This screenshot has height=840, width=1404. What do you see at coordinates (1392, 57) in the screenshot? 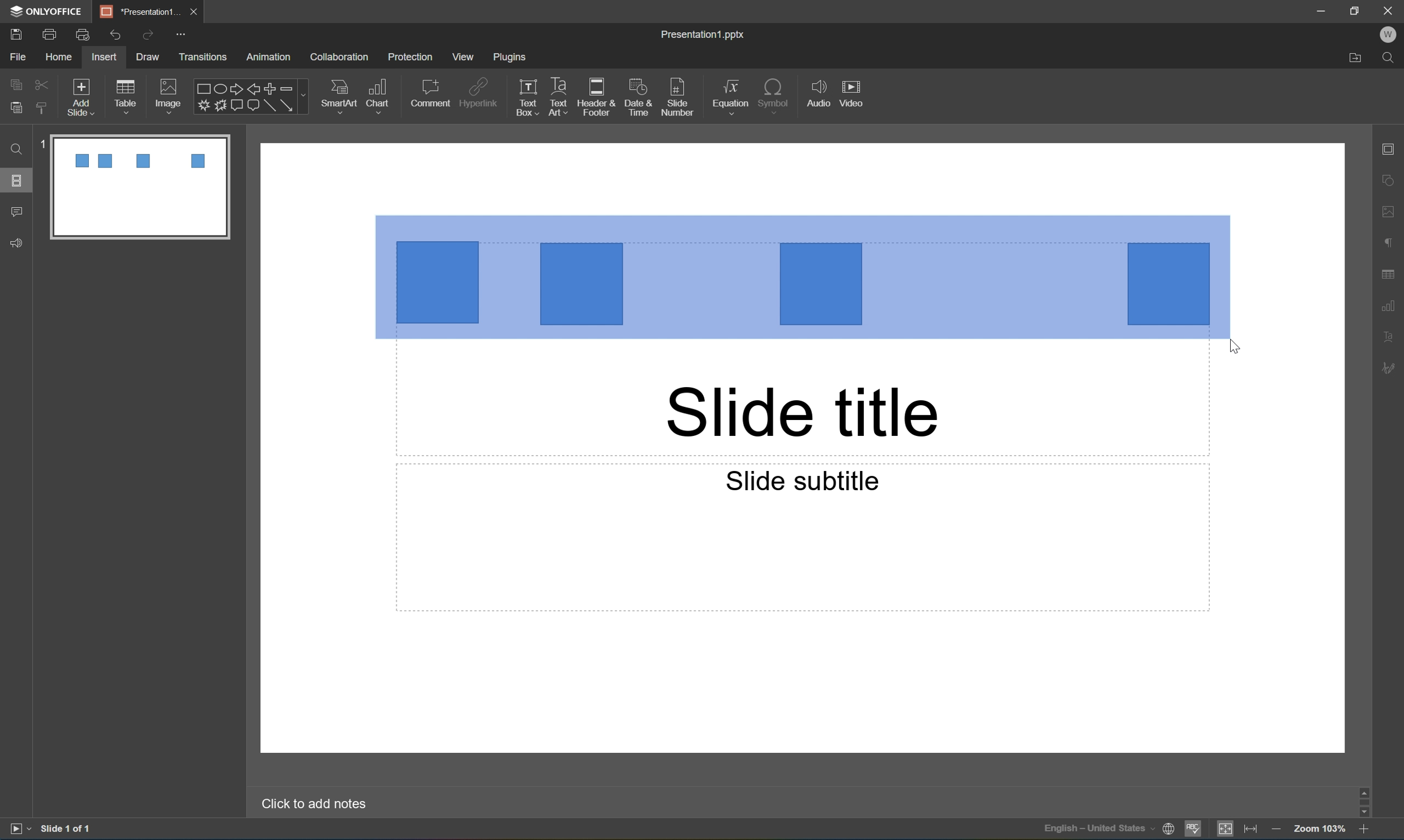
I see `Find` at bounding box center [1392, 57].